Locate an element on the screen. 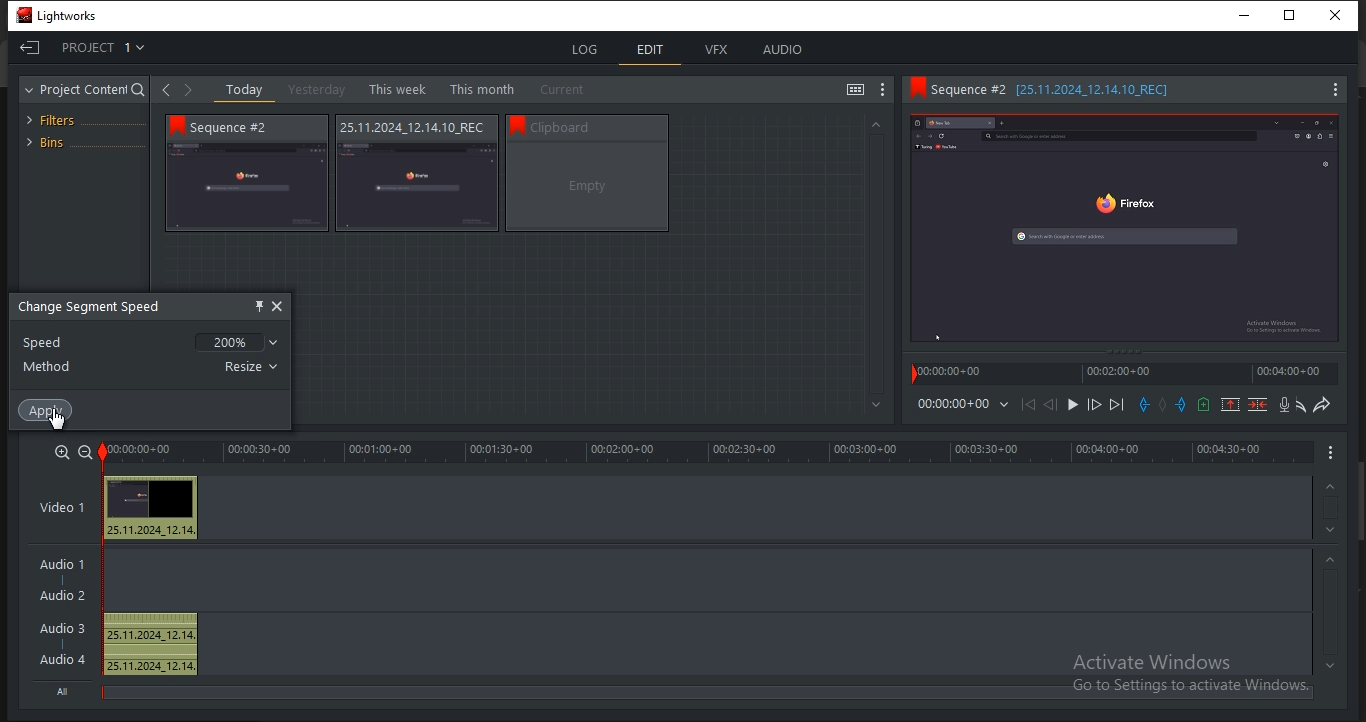 This screenshot has width=1366, height=722. Audio 3 is located at coordinates (61, 629).